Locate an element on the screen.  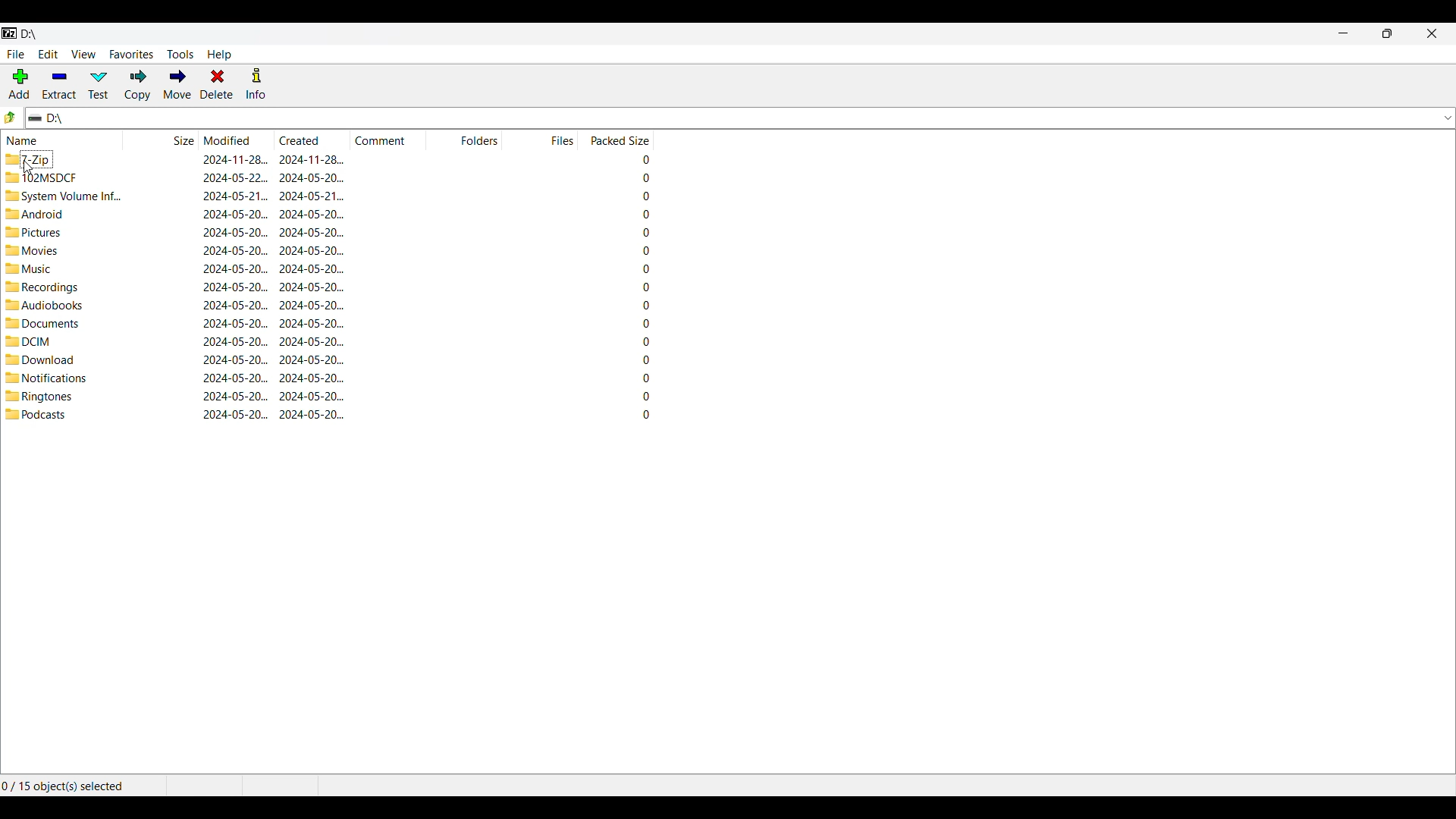
folder is located at coordinates (44, 304).